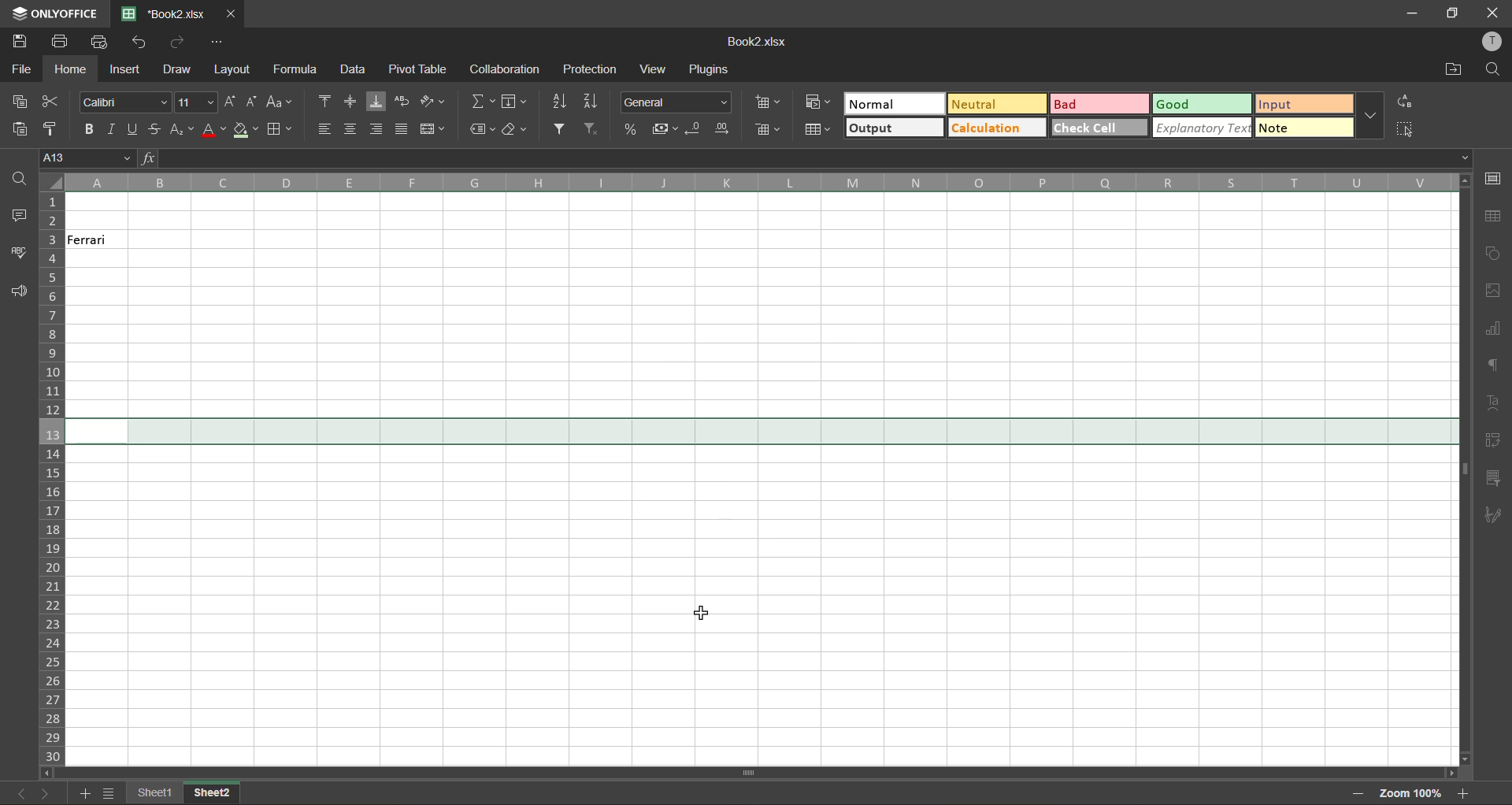 The height and width of the screenshot is (805, 1512). Describe the element at coordinates (16, 217) in the screenshot. I see `comments` at that location.